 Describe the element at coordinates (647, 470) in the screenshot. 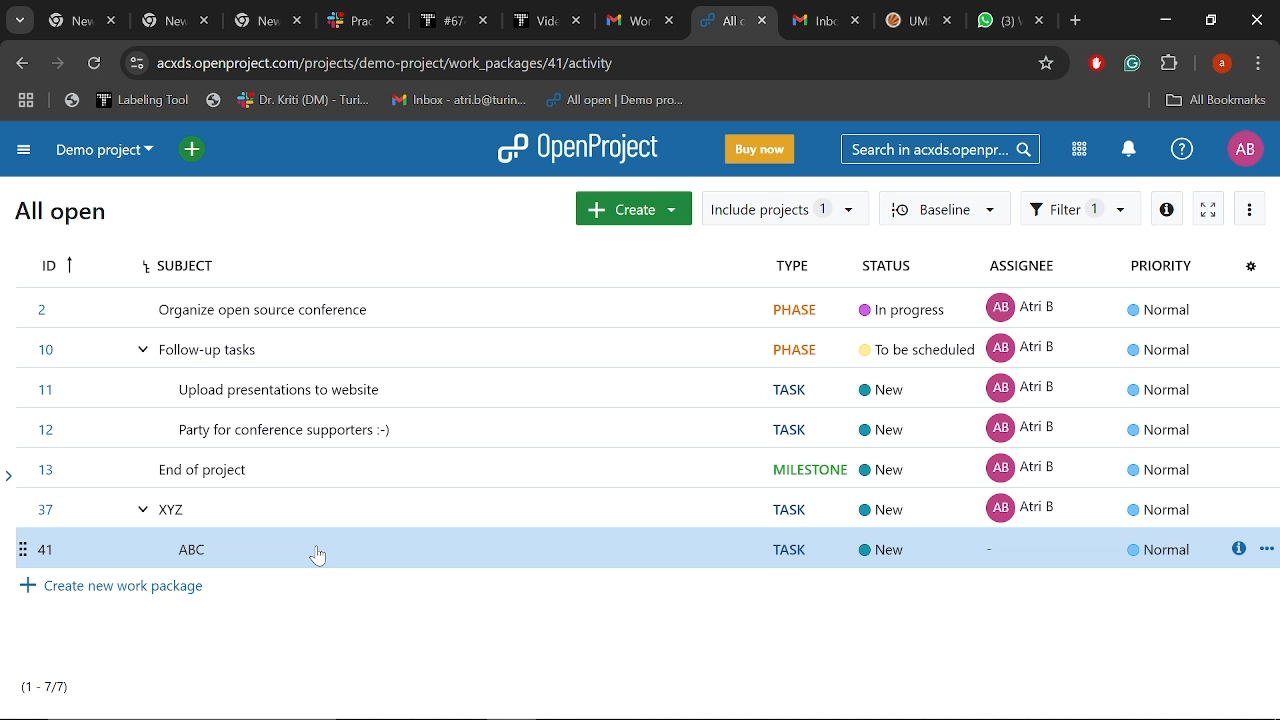

I see `task ID 13` at that location.